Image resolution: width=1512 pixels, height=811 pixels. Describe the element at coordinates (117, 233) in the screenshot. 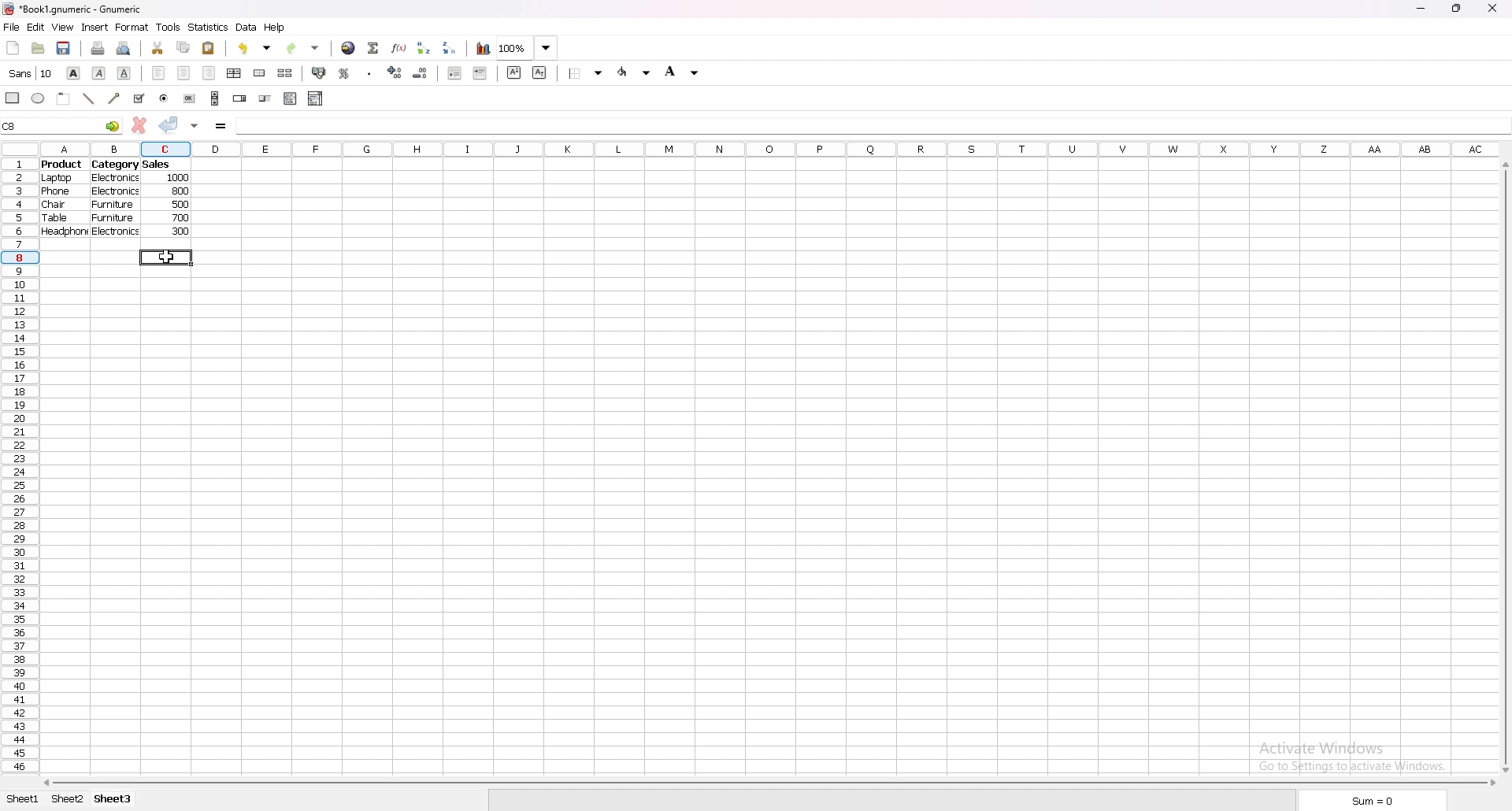

I see `electronics` at that location.